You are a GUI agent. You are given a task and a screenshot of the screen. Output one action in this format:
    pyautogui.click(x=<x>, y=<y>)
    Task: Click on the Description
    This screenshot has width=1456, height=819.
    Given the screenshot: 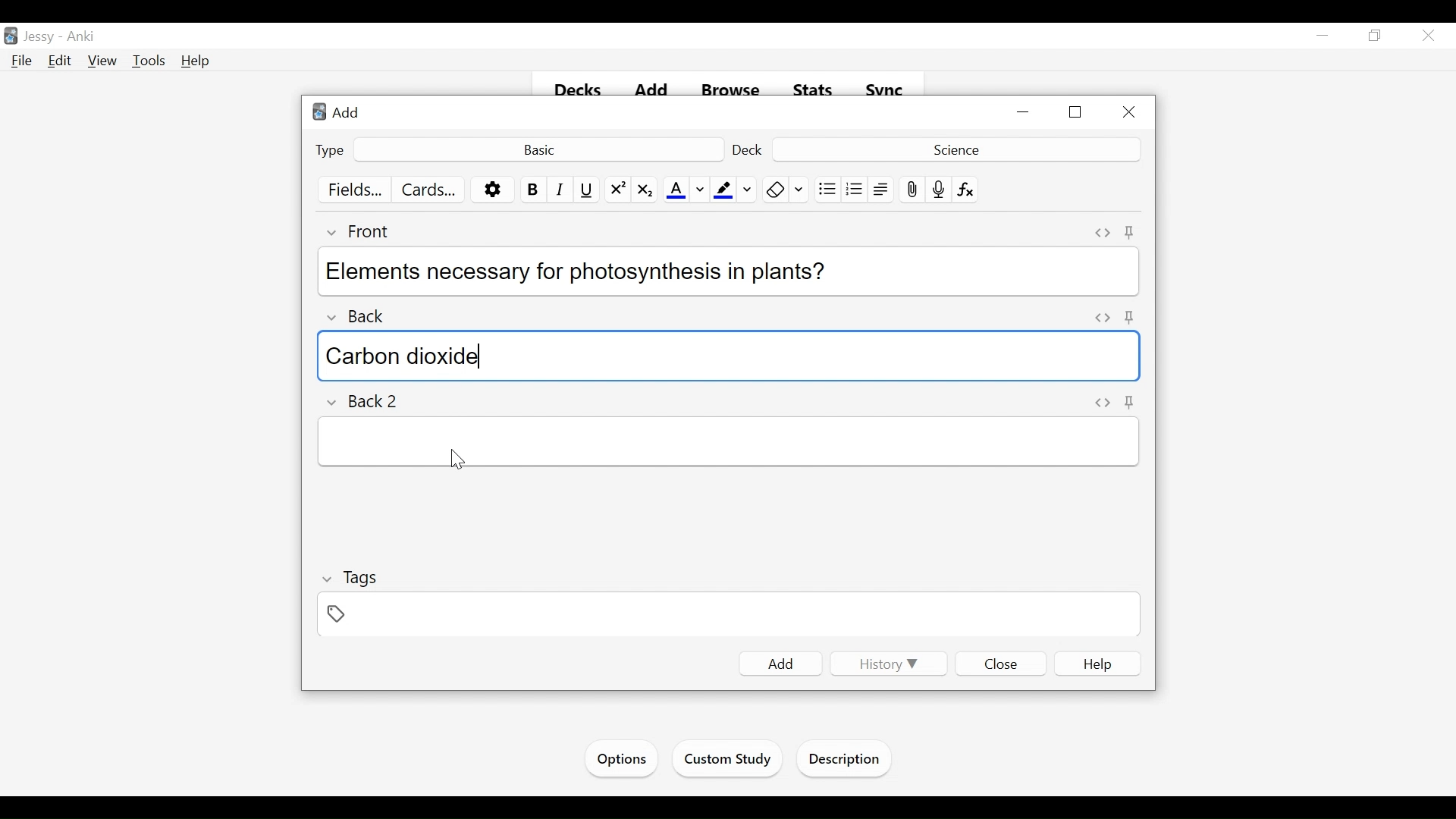 What is the action you would take?
    pyautogui.click(x=848, y=761)
    